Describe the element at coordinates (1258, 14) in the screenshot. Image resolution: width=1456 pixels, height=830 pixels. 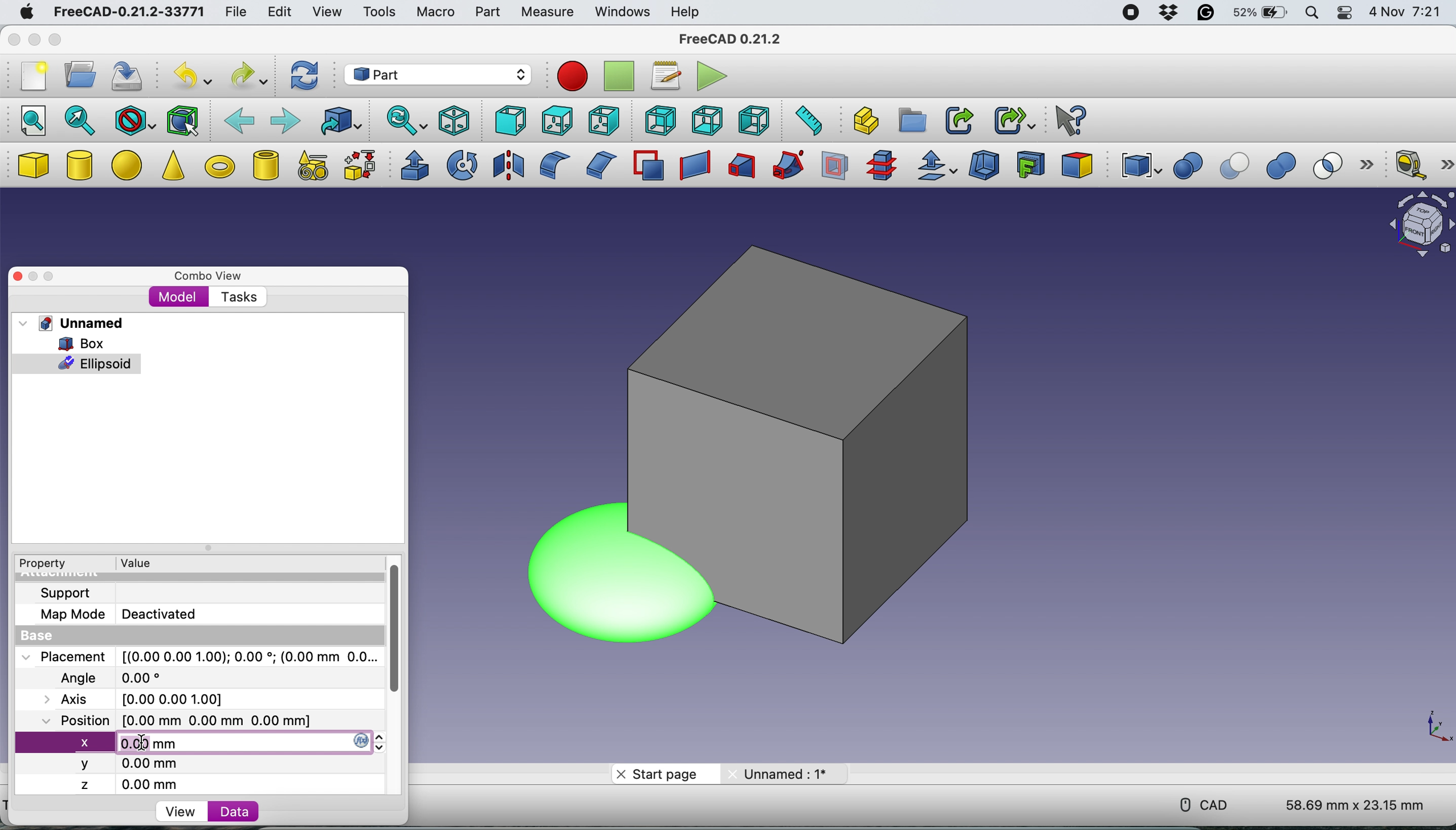
I see `battery` at that location.